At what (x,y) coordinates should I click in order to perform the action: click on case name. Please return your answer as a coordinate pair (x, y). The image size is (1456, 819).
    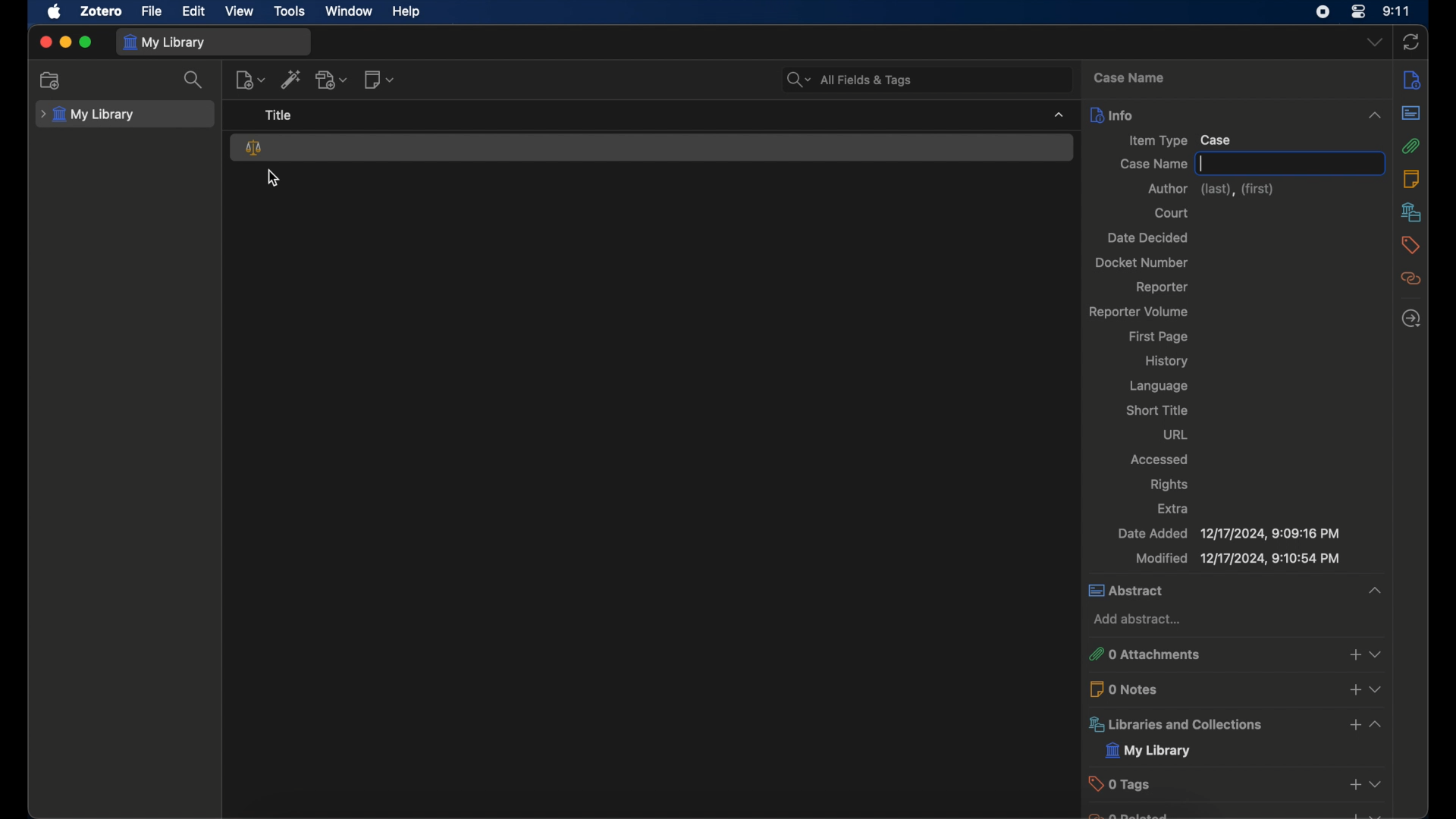
    Looking at the image, I should click on (1130, 77).